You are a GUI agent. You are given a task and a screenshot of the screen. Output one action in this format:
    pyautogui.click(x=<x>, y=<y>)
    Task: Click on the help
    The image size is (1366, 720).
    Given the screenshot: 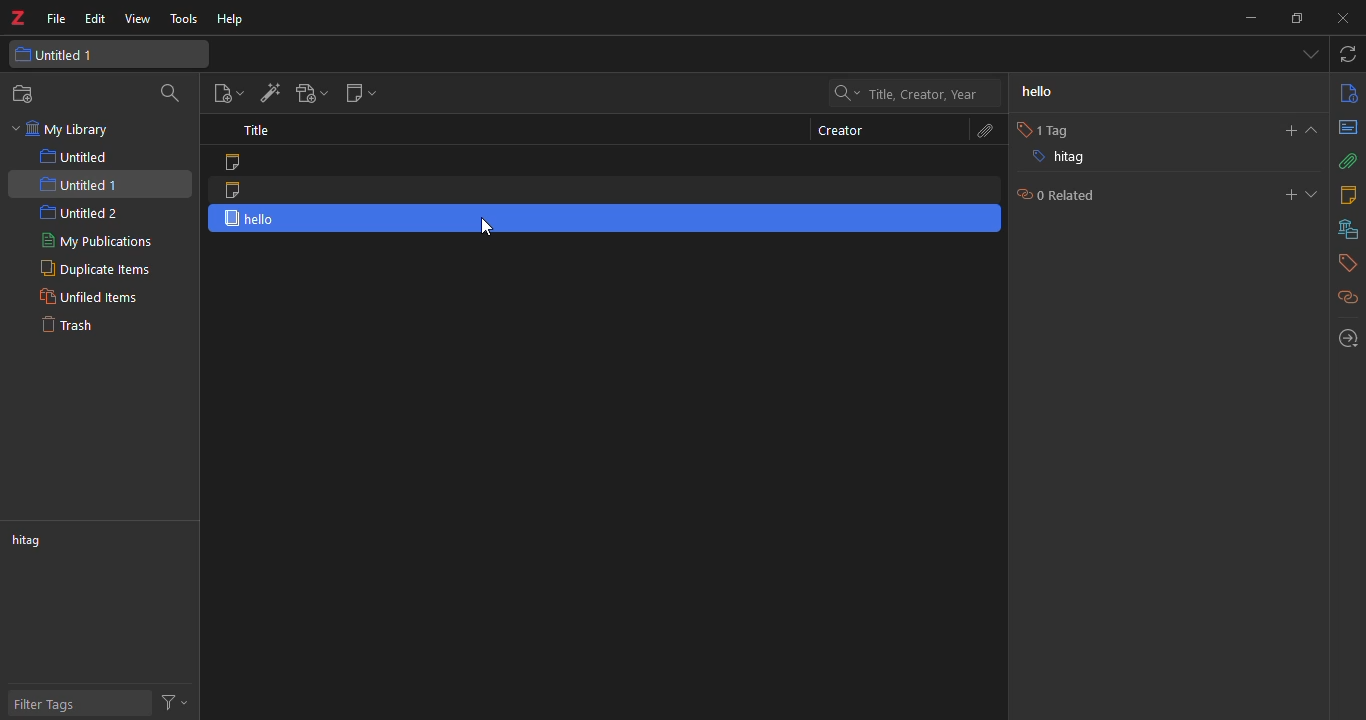 What is the action you would take?
    pyautogui.click(x=229, y=21)
    